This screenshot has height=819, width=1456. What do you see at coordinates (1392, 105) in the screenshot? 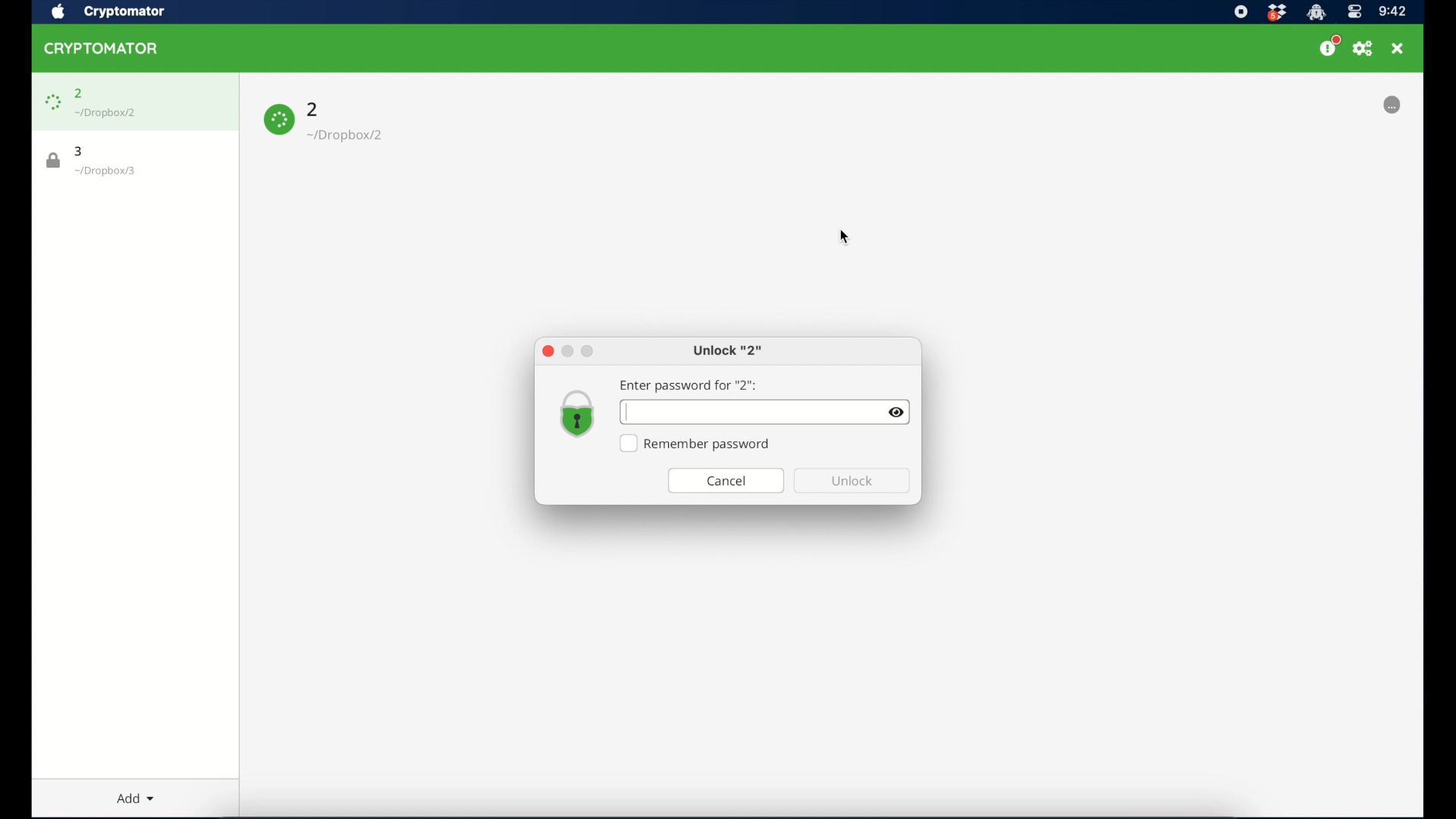
I see `loading` at bounding box center [1392, 105].